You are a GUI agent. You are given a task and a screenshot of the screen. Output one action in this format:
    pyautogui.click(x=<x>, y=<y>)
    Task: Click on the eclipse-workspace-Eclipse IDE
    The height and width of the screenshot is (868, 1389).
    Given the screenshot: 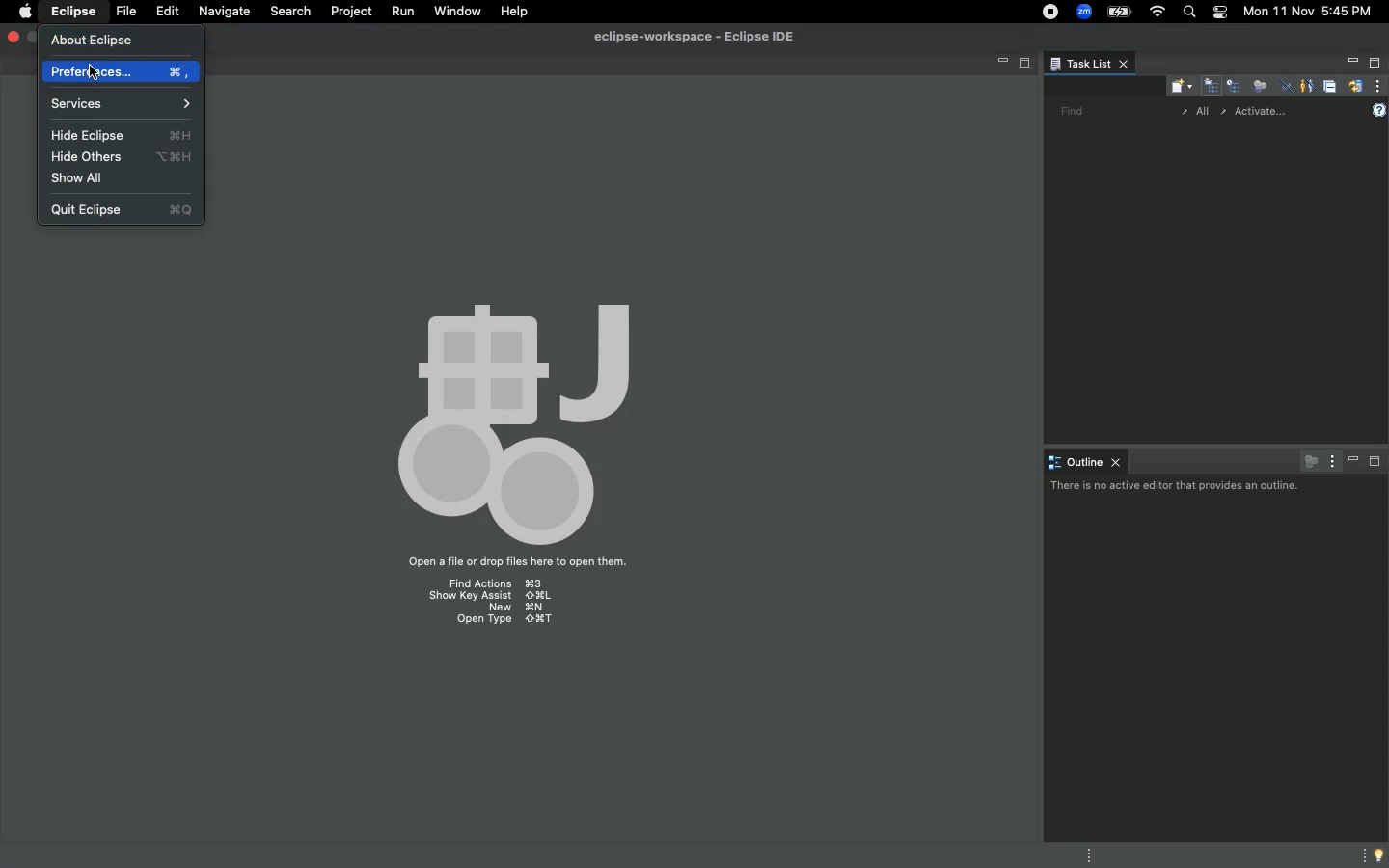 What is the action you would take?
    pyautogui.click(x=691, y=38)
    